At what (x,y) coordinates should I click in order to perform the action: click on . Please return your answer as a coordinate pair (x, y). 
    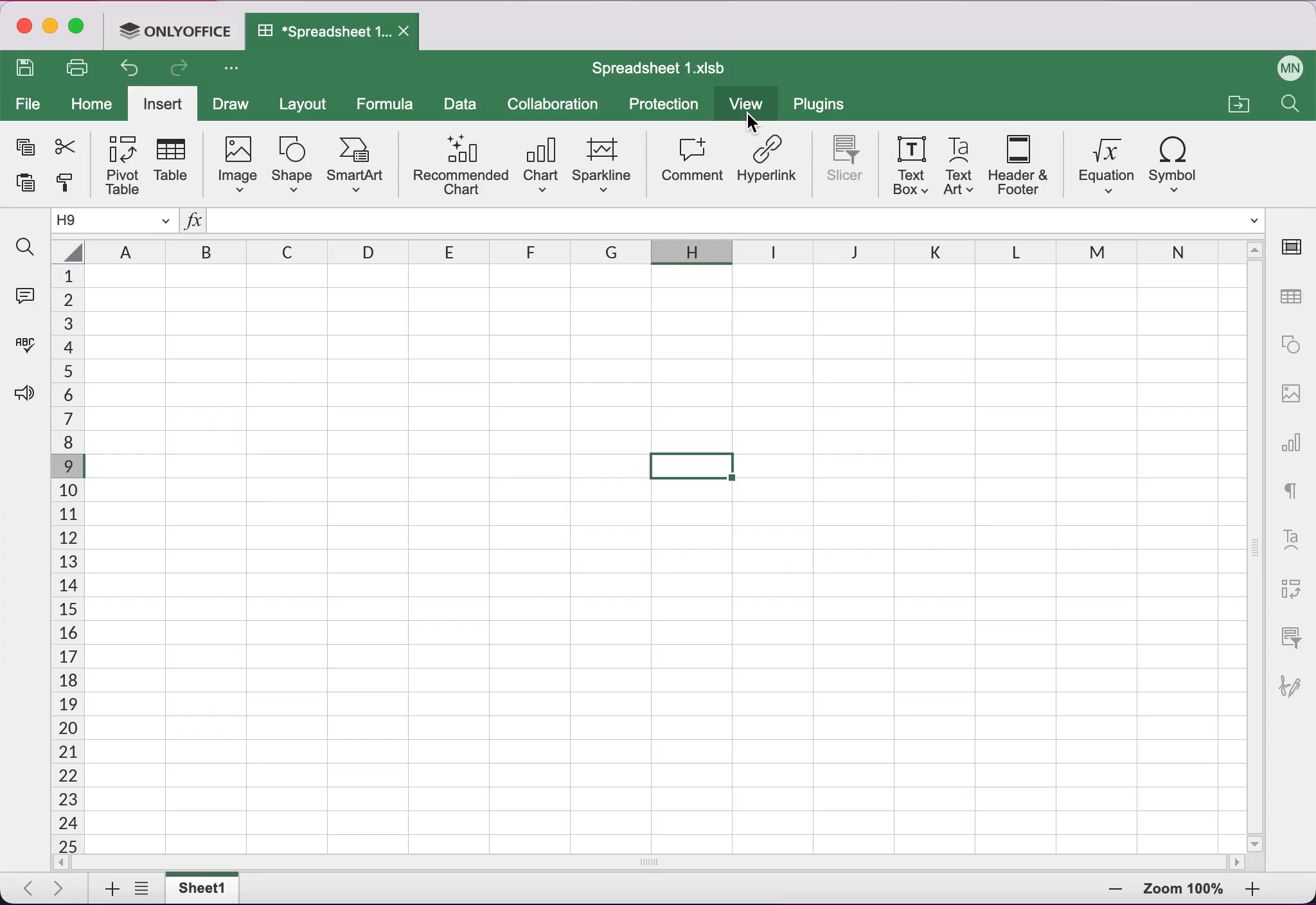
    Looking at the image, I should click on (1288, 296).